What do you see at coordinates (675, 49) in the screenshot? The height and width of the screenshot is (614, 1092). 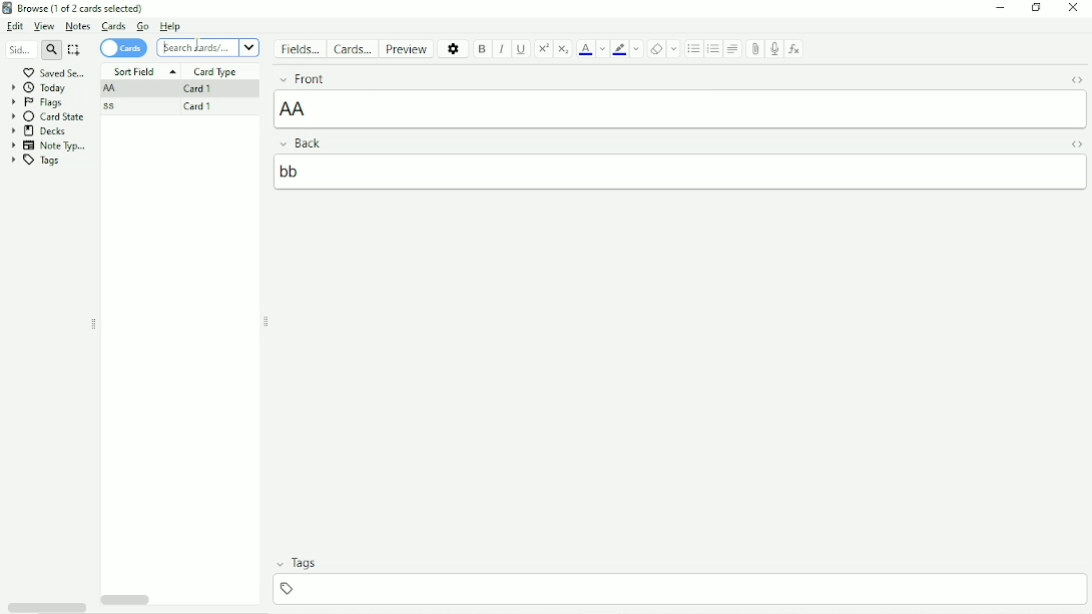 I see `Select formatting to remove` at bounding box center [675, 49].